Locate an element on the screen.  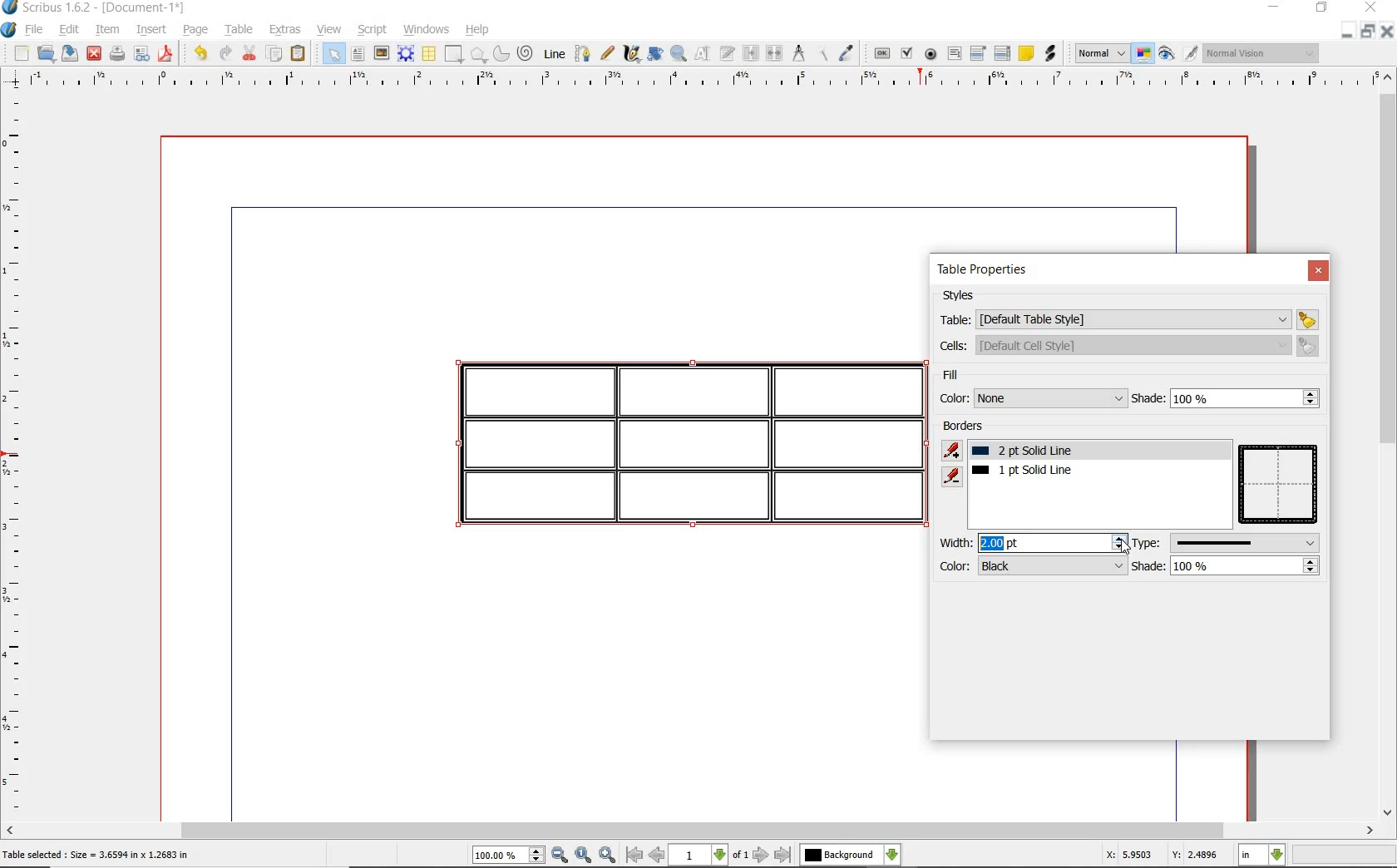
edit content of frame is located at coordinates (703, 54).